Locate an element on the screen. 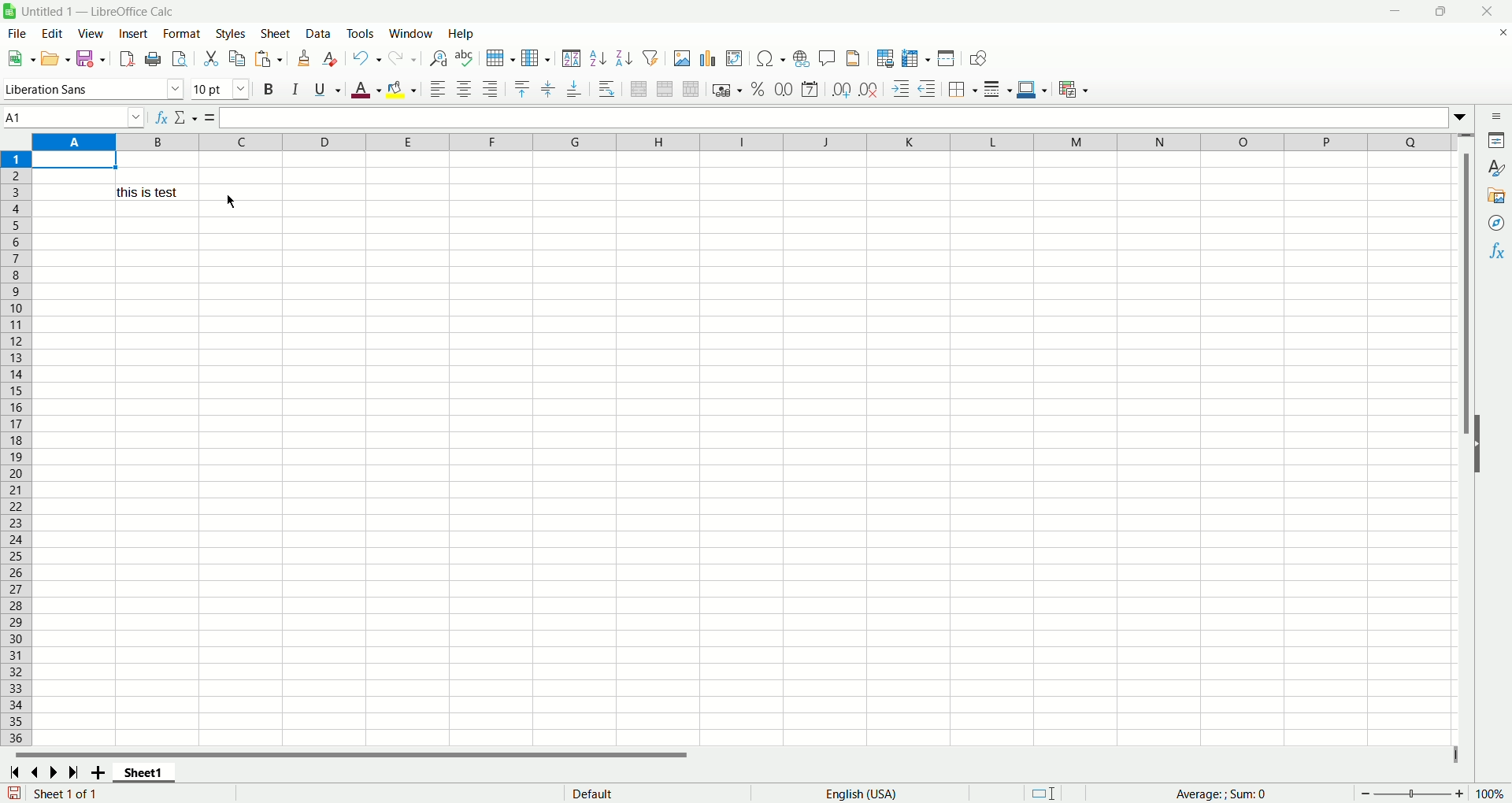 The height and width of the screenshot is (803, 1512). sort is located at coordinates (571, 58).